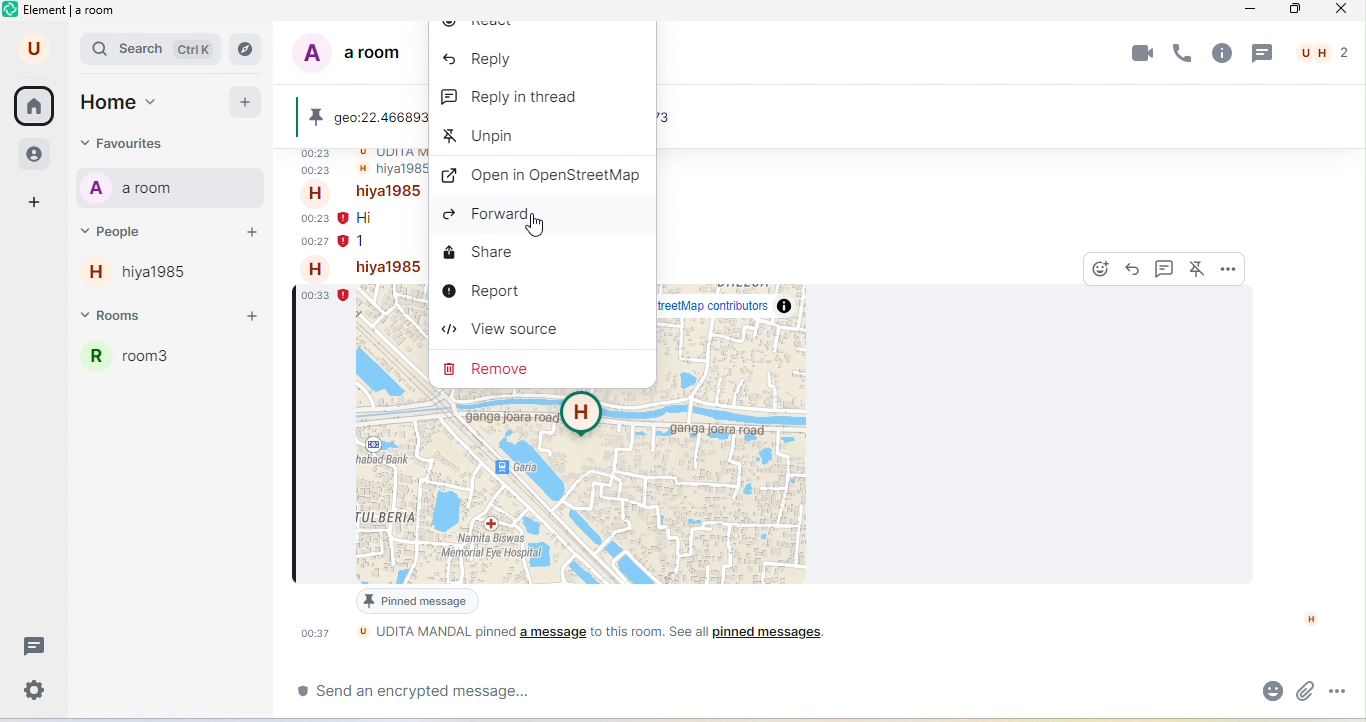 The width and height of the screenshot is (1366, 722). I want to click on close, so click(1345, 12).